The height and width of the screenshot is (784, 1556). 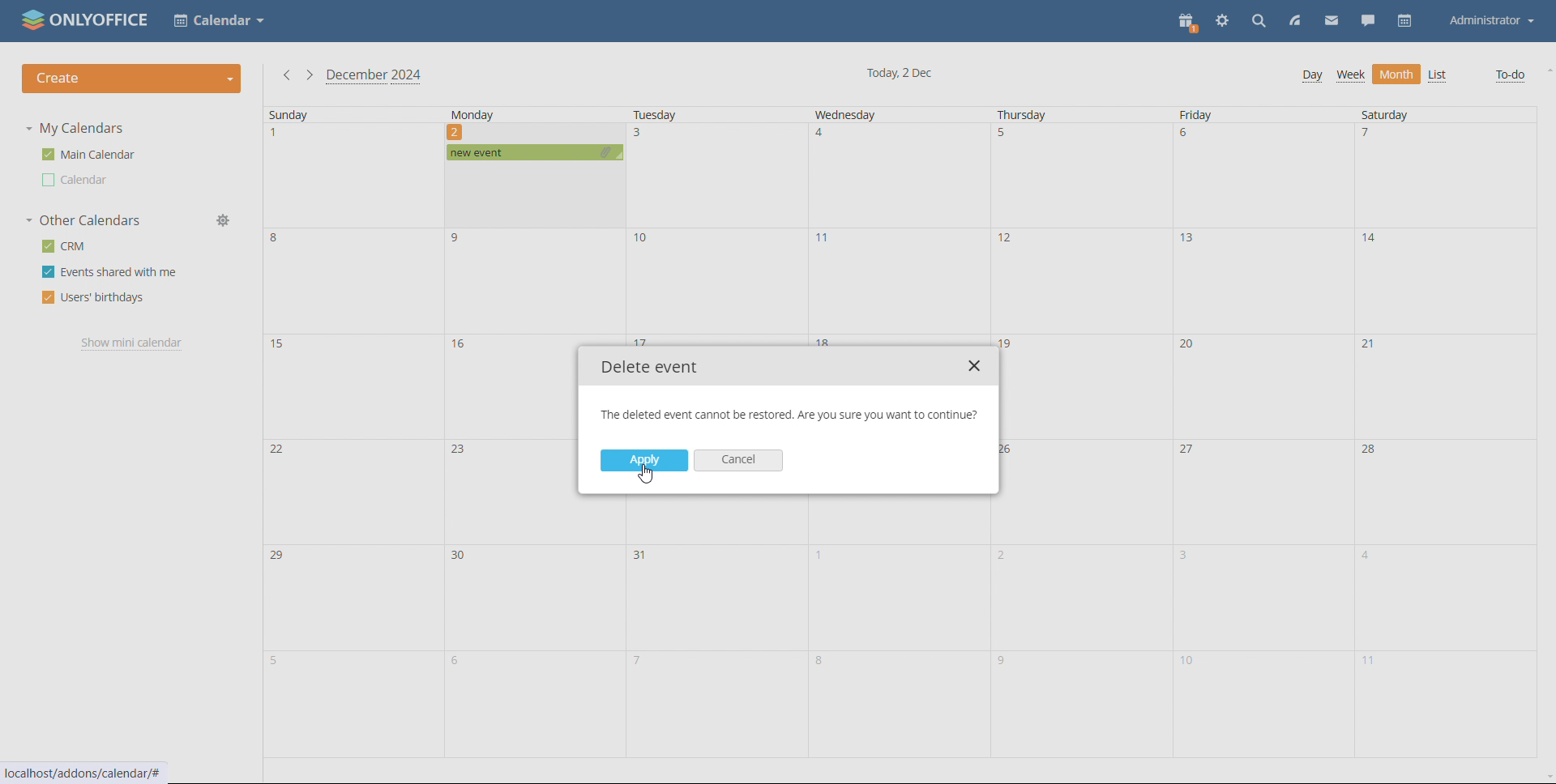 I want to click on my calendars, so click(x=73, y=129).